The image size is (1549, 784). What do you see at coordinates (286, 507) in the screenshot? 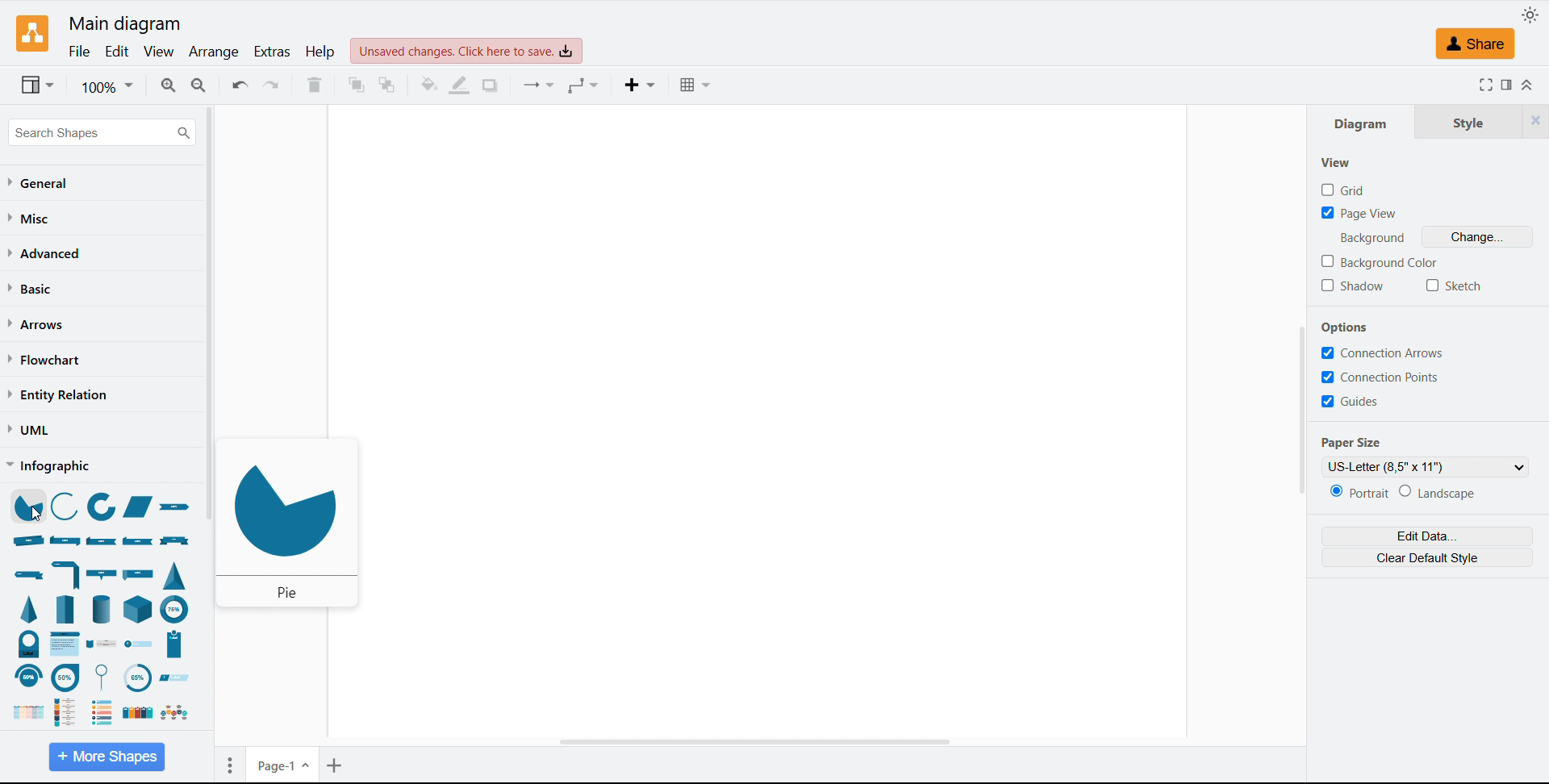
I see `pie shape` at bounding box center [286, 507].